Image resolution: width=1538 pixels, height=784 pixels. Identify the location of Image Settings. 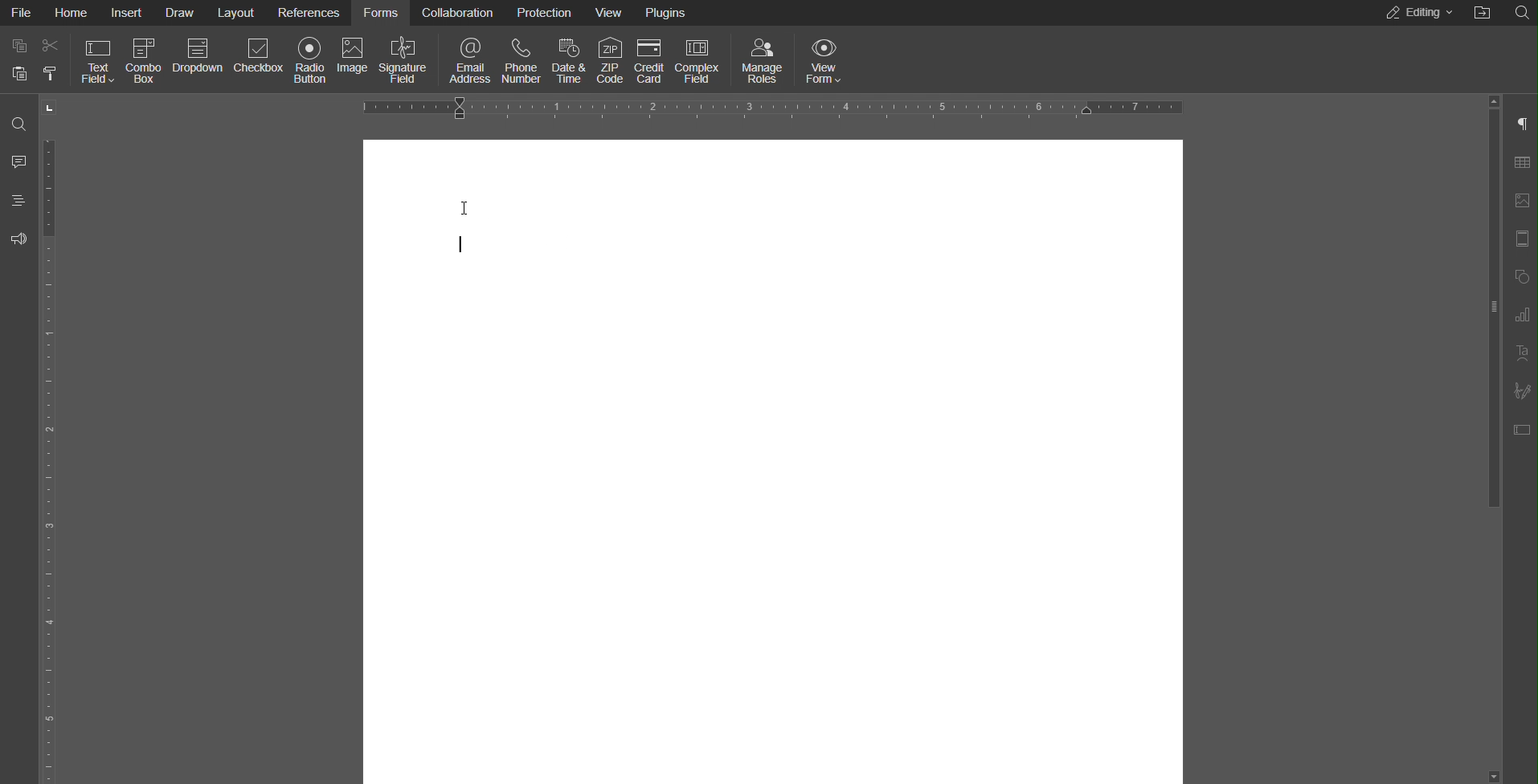
(1520, 201).